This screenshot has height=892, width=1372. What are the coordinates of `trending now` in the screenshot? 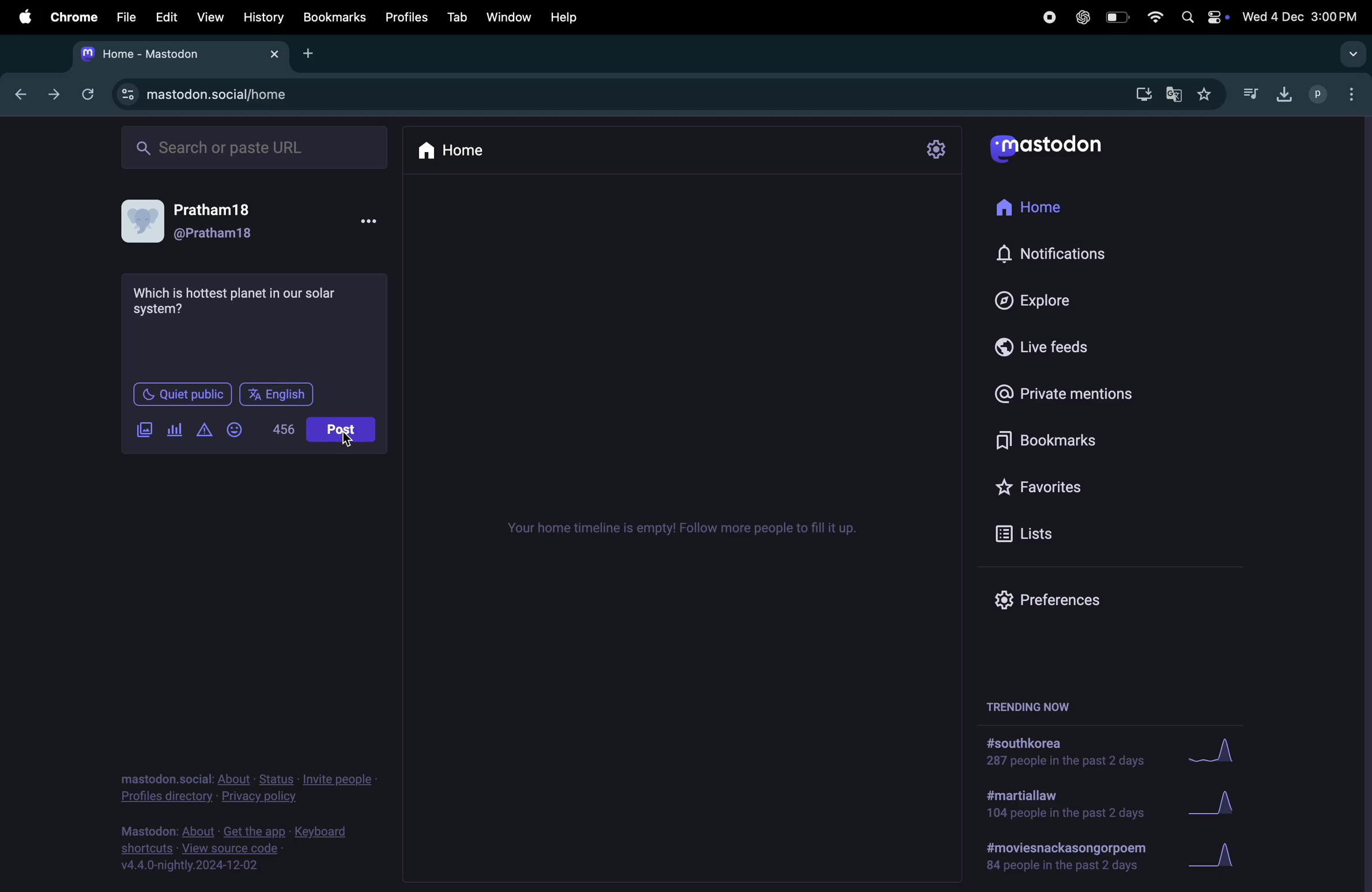 It's located at (1023, 707).